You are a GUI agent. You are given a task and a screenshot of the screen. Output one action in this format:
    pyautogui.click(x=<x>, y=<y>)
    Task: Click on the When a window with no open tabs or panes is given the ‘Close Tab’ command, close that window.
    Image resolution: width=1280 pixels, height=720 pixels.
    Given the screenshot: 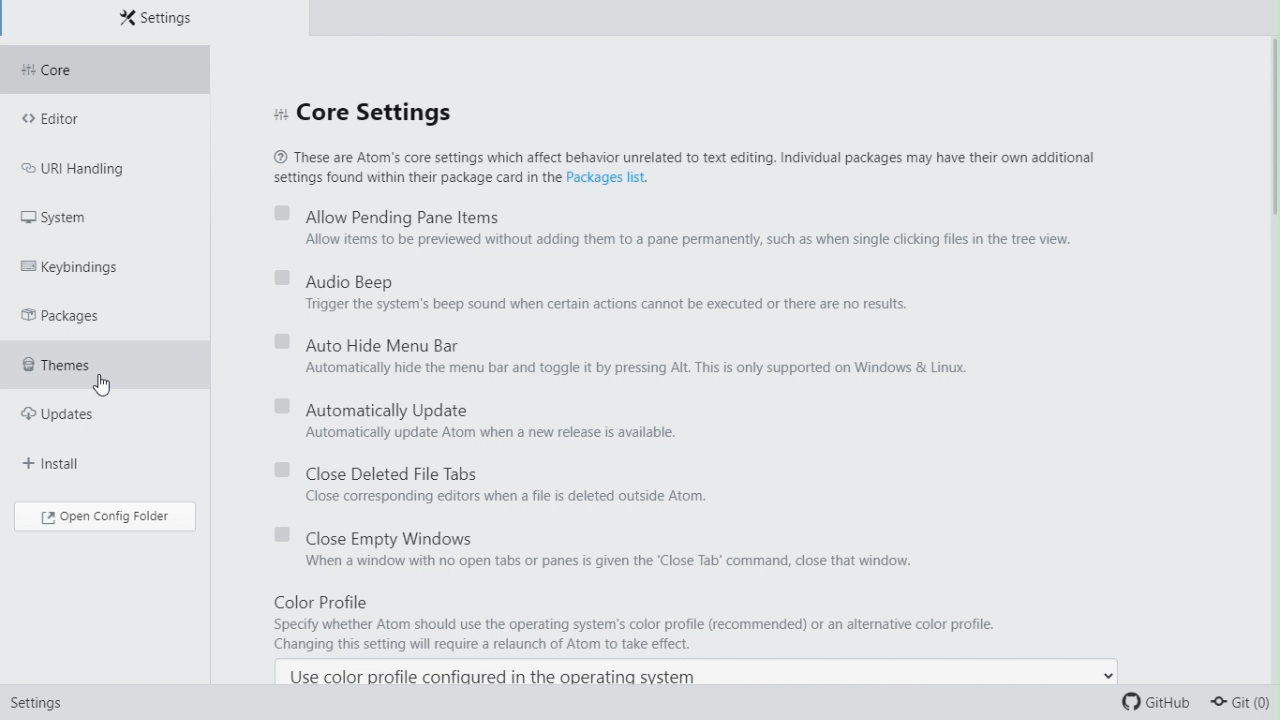 What is the action you would take?
    pyautogui.click(x=602, y=561)
    